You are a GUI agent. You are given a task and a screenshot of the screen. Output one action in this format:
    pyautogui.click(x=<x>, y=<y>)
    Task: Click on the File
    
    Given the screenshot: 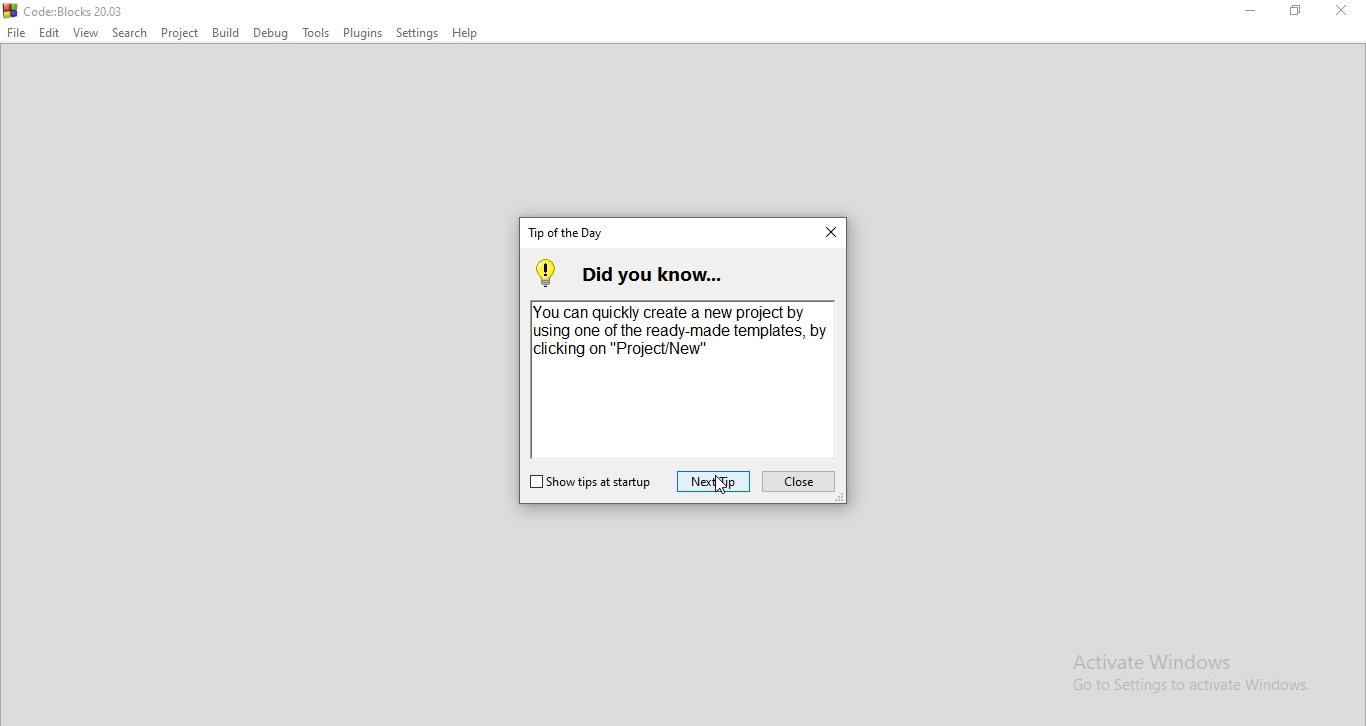 What is the action you would take?
    pyautogui.click(x=15, y=33)
    